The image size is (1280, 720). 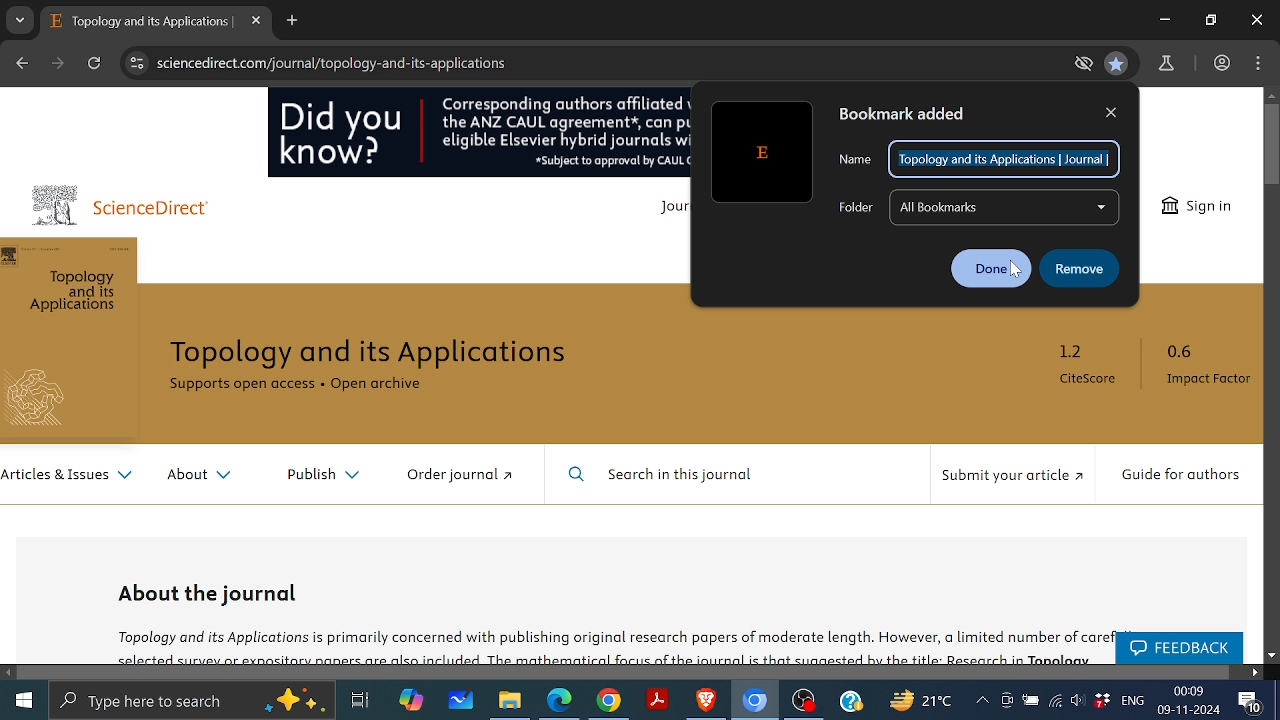 What do you see at coordinates (1078, 698) in the screenshot?
I see `Speaker/Headphones` at bounding box center [1078, 698].